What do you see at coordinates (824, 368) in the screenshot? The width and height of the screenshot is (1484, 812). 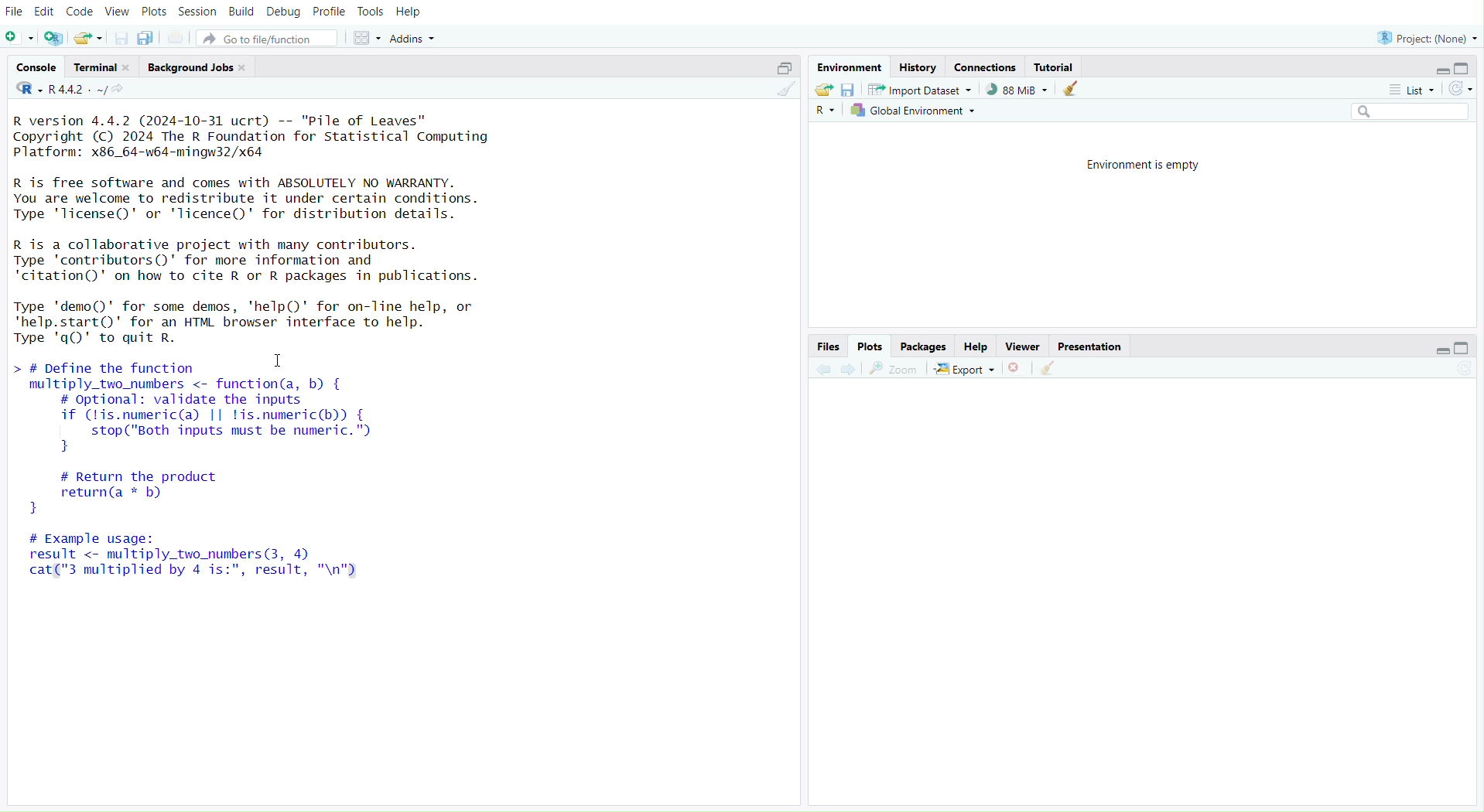 I see `Go back to the previous source location (Ctrl + F9)` at bounding box center [824, 368].